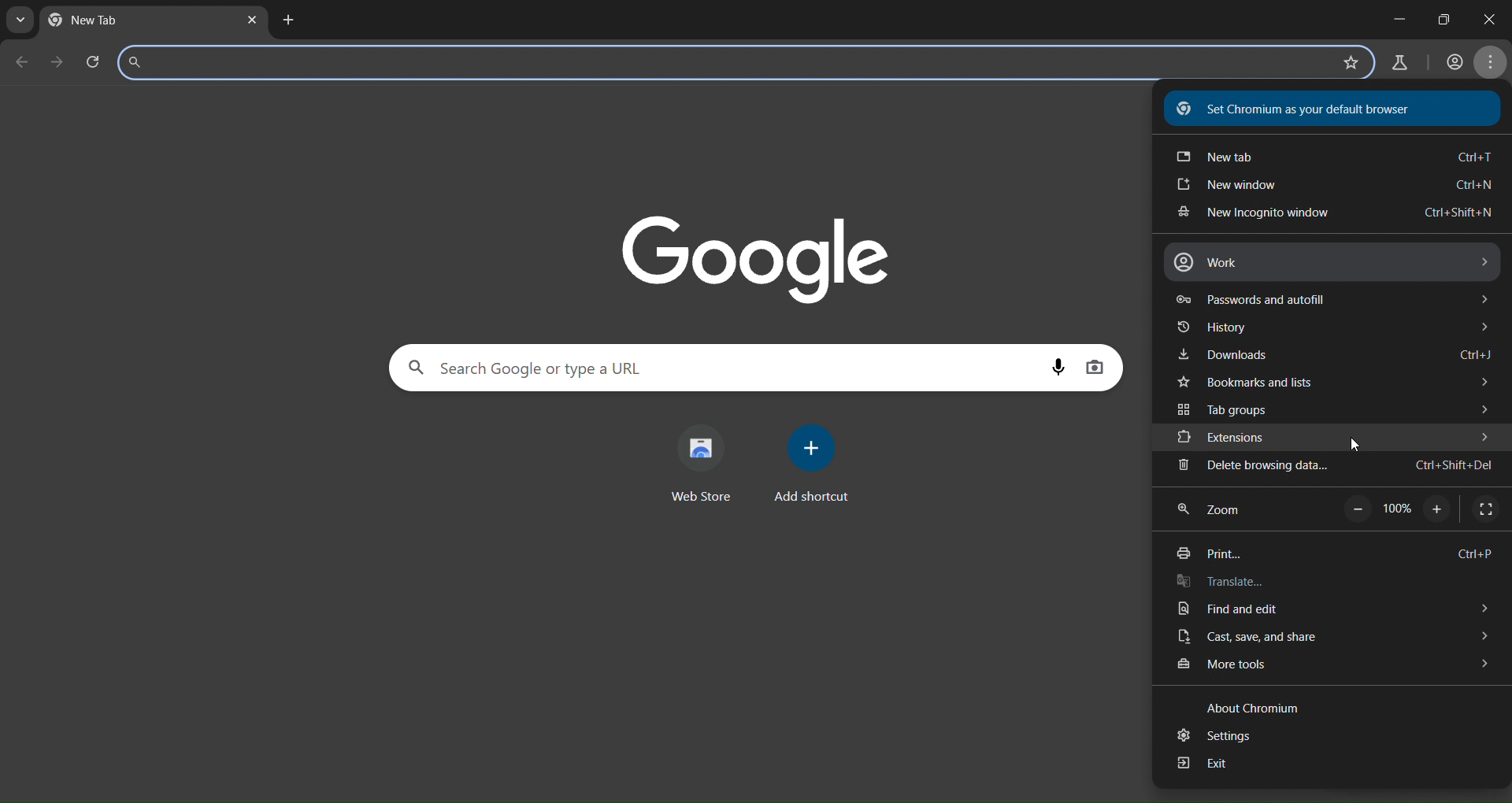 This screenshot has width=1512, height=803. What do you see at coordinates (1401, 507) in the screenshot?
I see `` at bounding box center [1401, 507].